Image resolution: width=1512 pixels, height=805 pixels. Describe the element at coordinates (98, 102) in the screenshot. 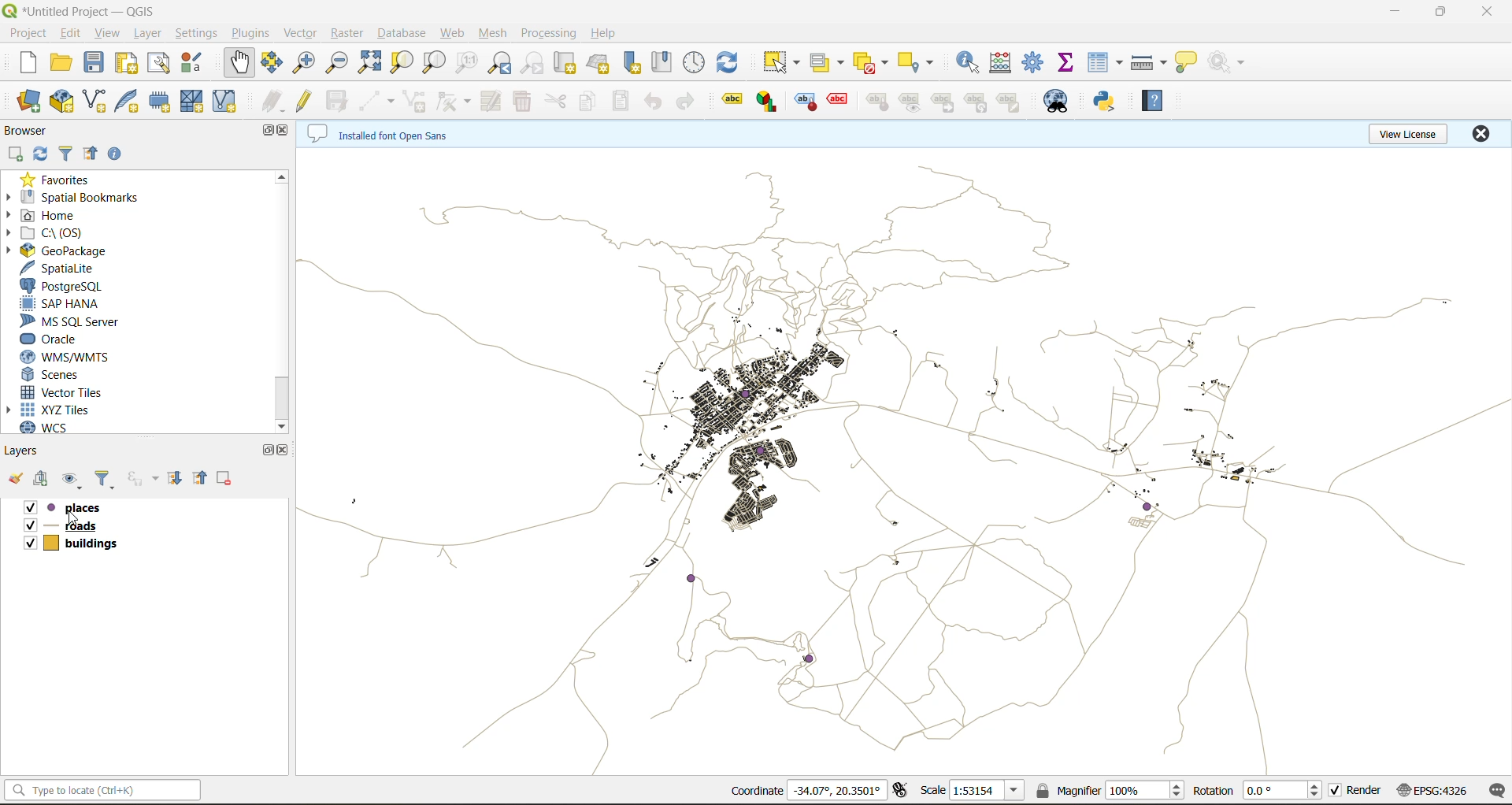

I see `new shapefile` at that location.